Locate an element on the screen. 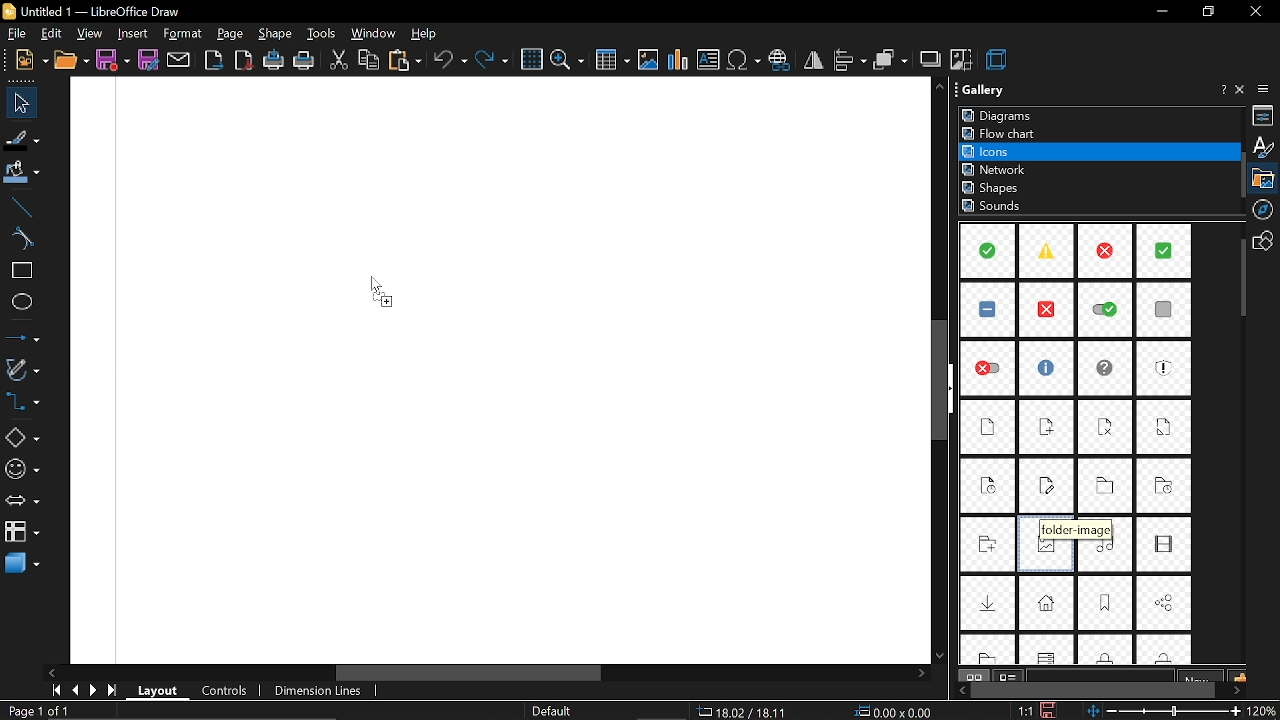 Image resolution: width=1280 pixels, height=720 pixels. 3d effect is located at coordinates (998, 60).